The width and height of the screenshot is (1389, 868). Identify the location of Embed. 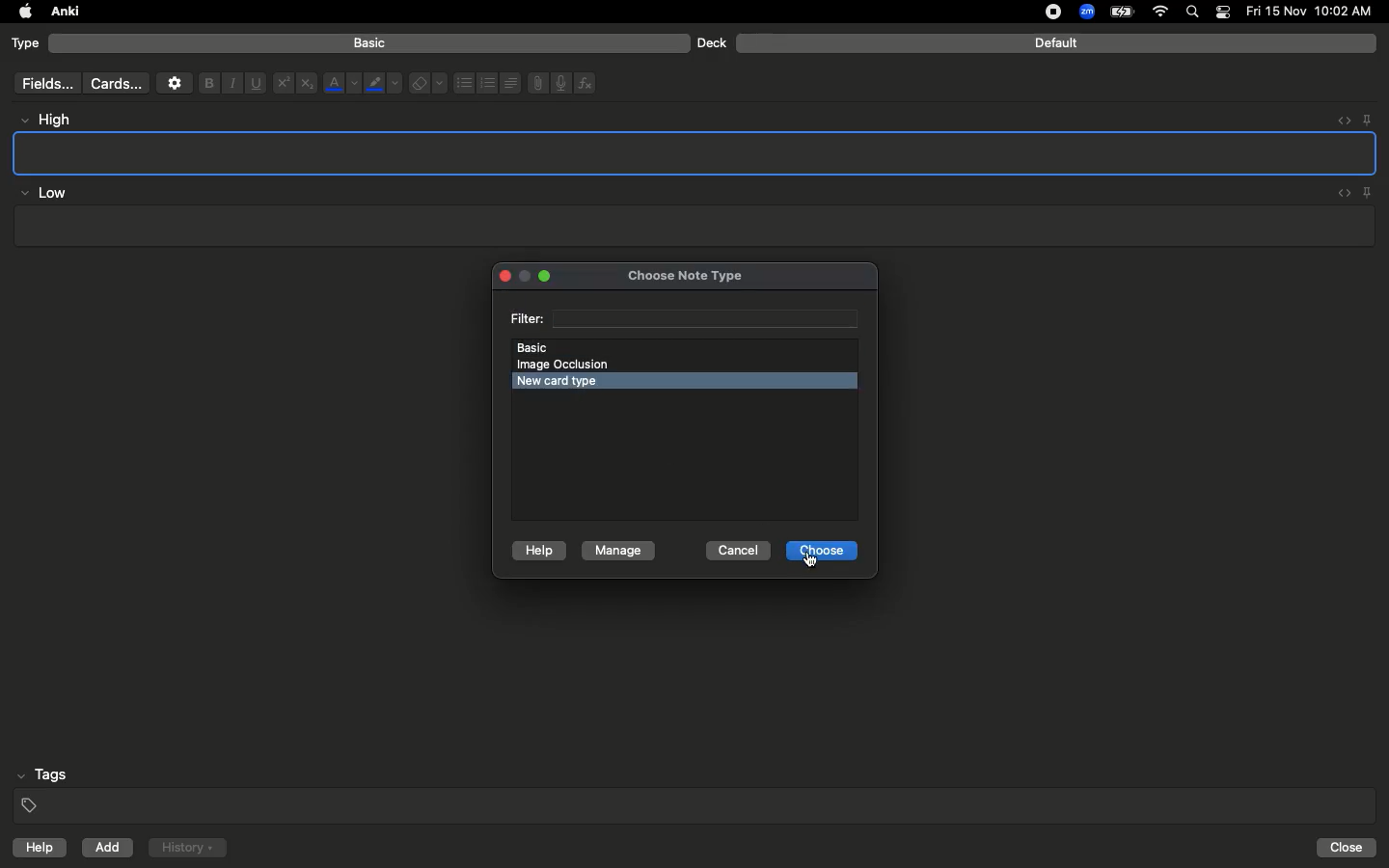
(1340, 194).